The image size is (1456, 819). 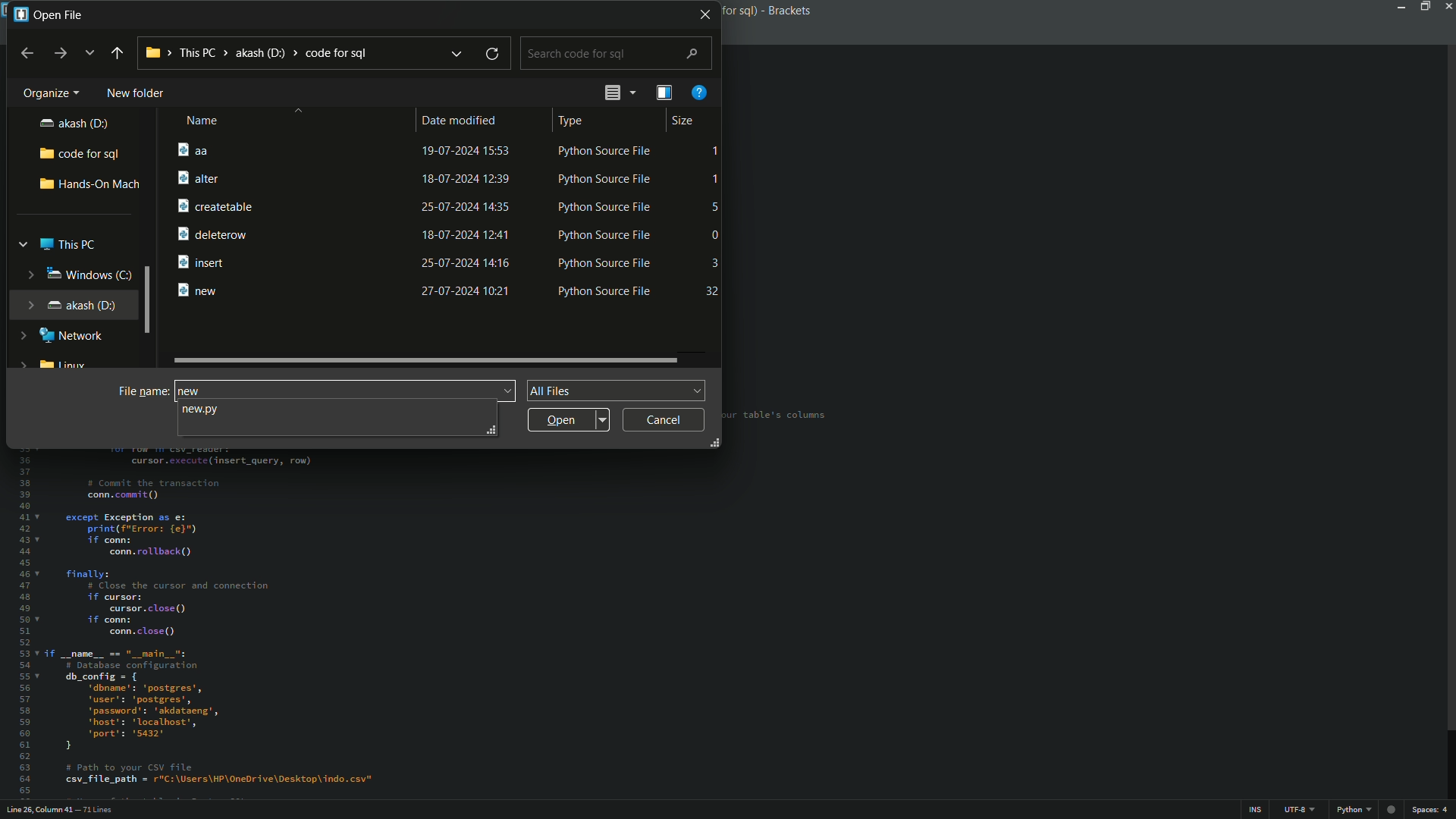 What do you see at coordinates (1445, 393) in the screenshot?
I see `scroll bar` at bounding box center [1445, 393].